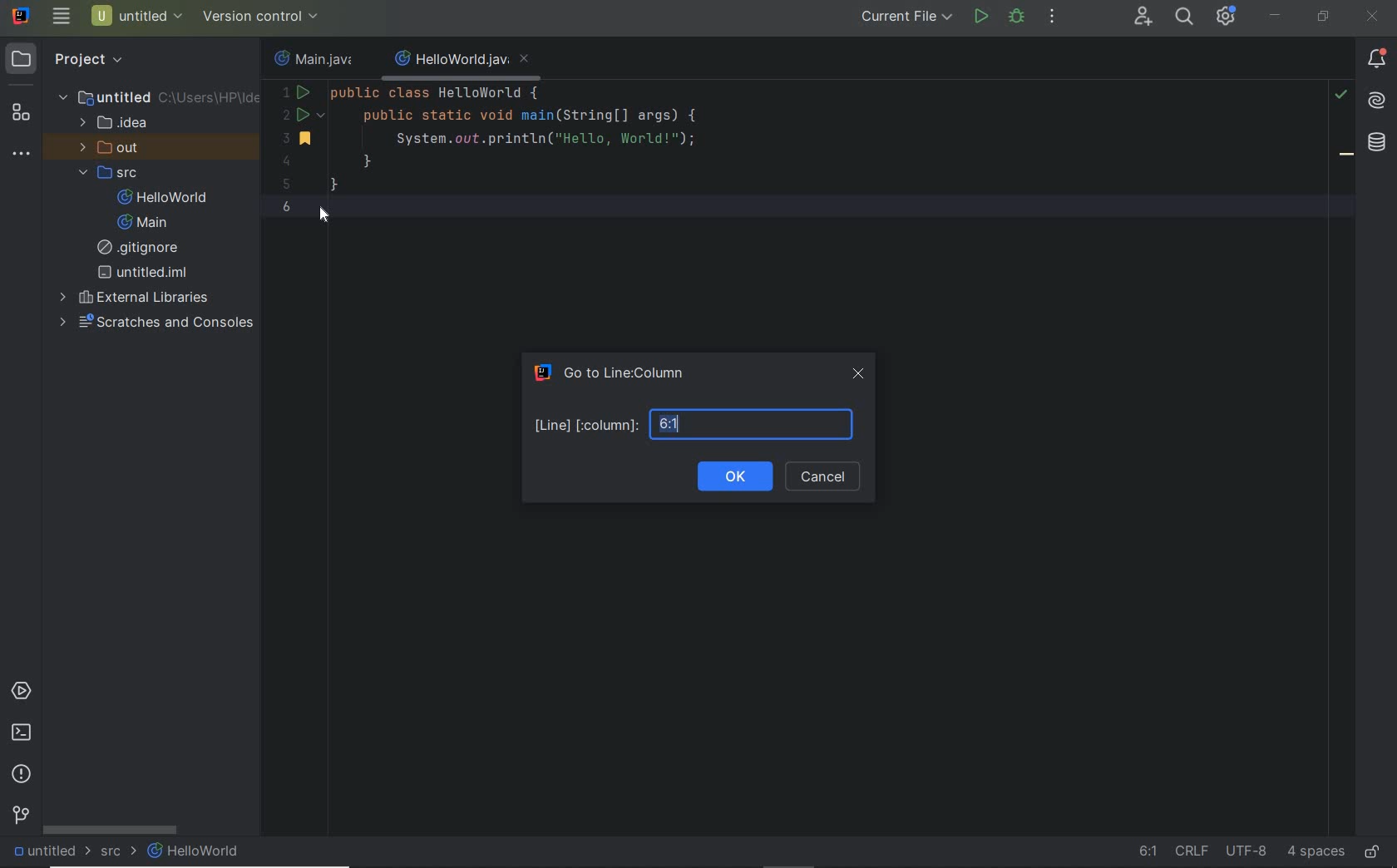  Describe the element at coordinates (328, 217) in the screenshot. I see `cursor` at that location.